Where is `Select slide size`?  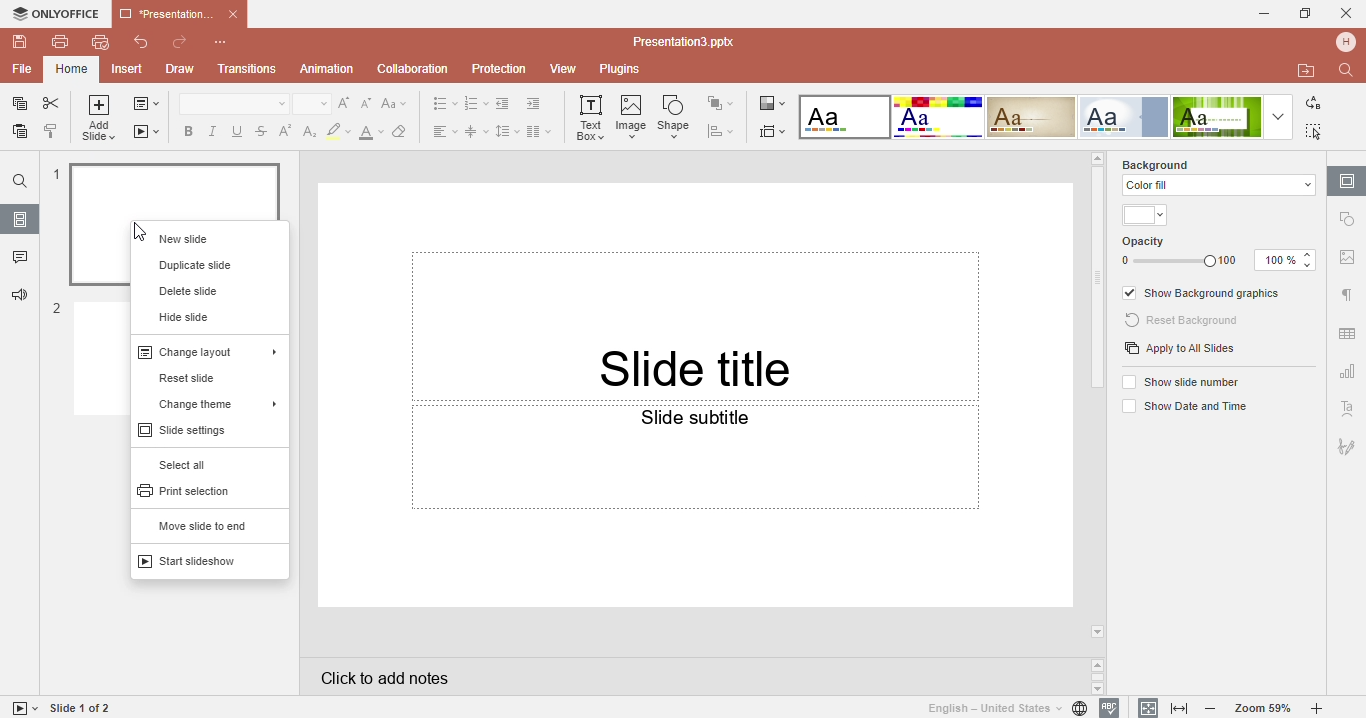 Select slide size is located at coordinates (774, 130).